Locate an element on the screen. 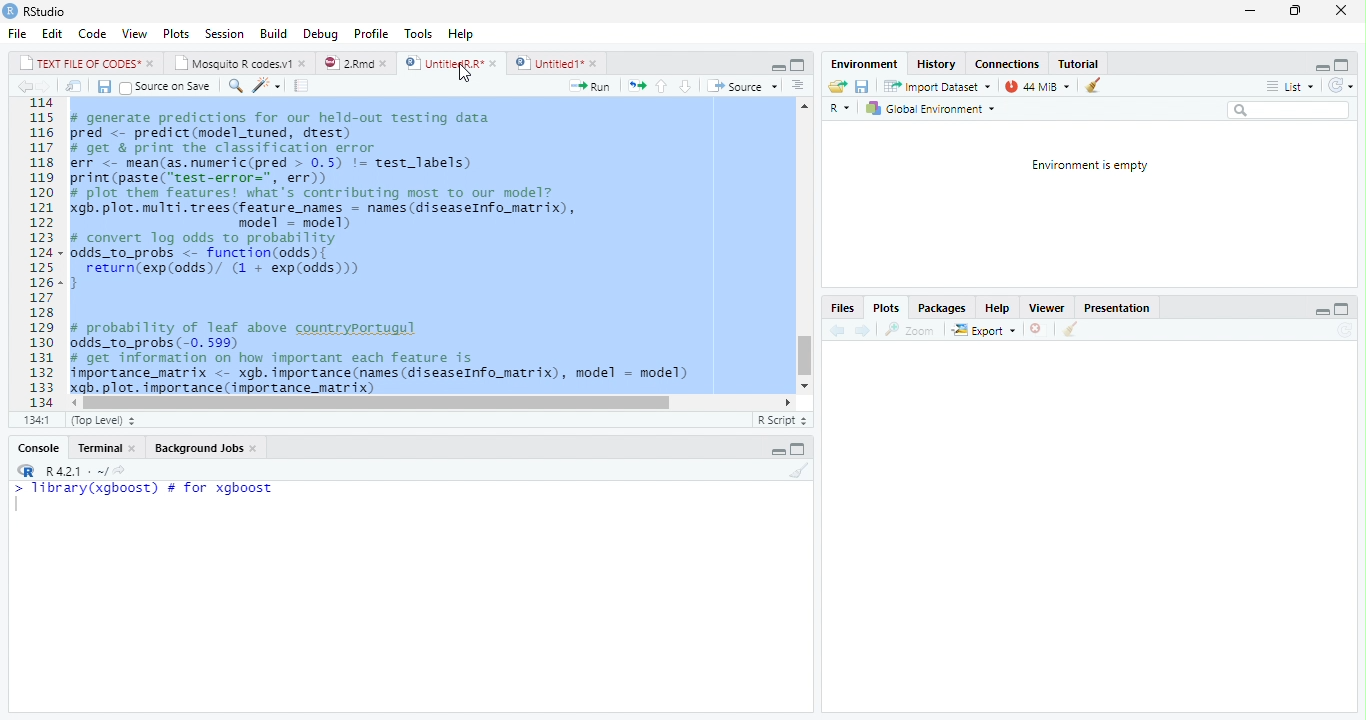 The height and width of the screenshot is (720, 1366). Delete is located at coordinates (1037, 329).